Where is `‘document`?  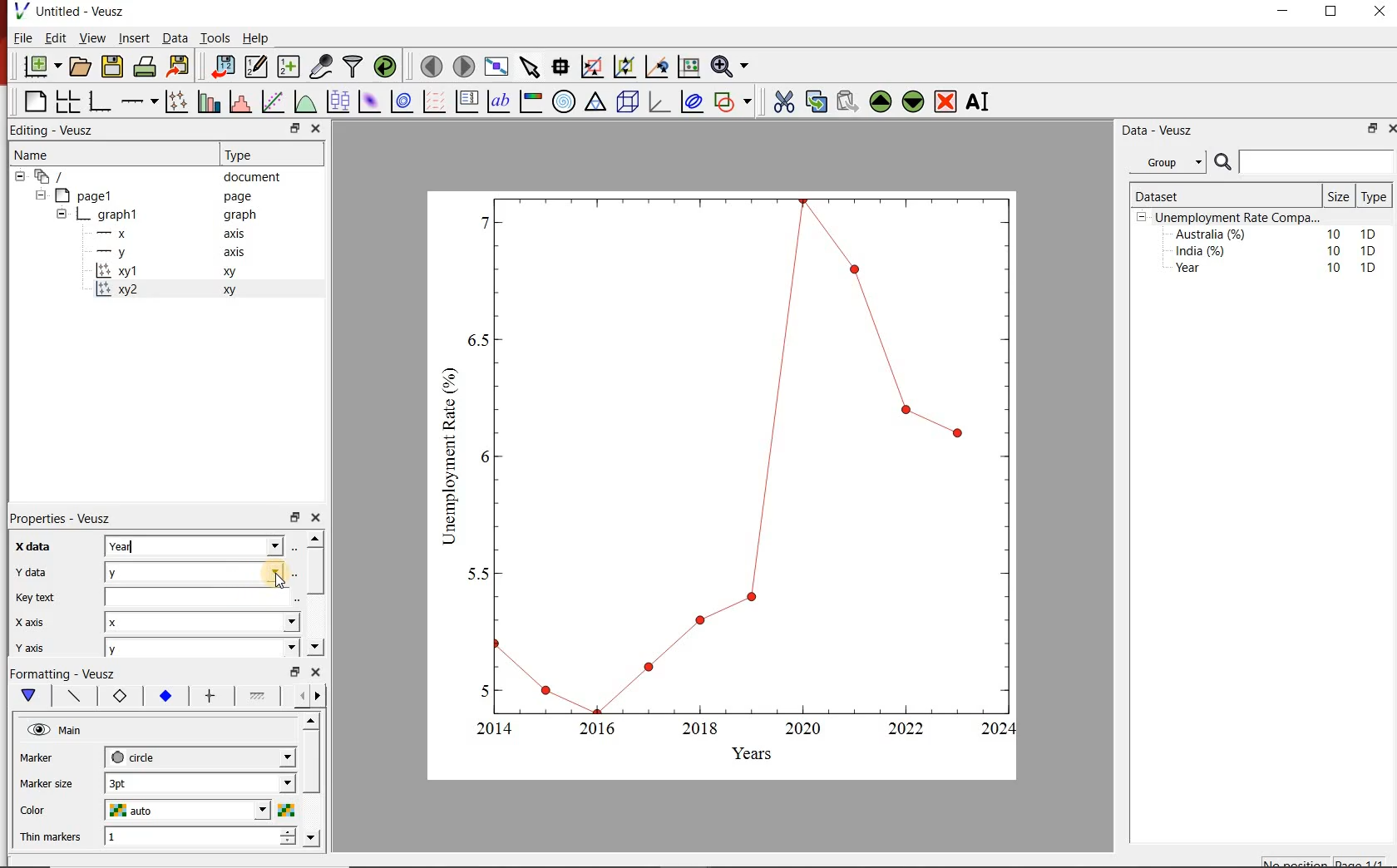
‘document is located at coordinates (155, 175).